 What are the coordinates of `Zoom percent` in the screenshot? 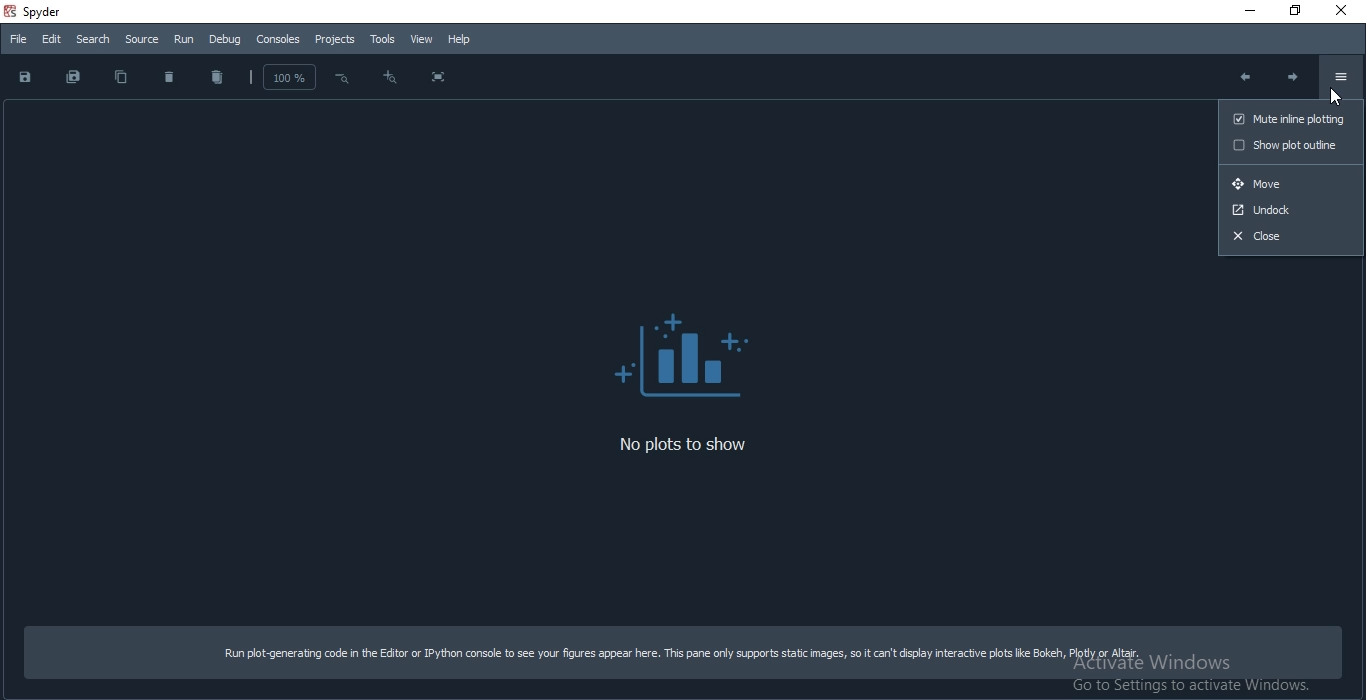 It's located at (284, 77).